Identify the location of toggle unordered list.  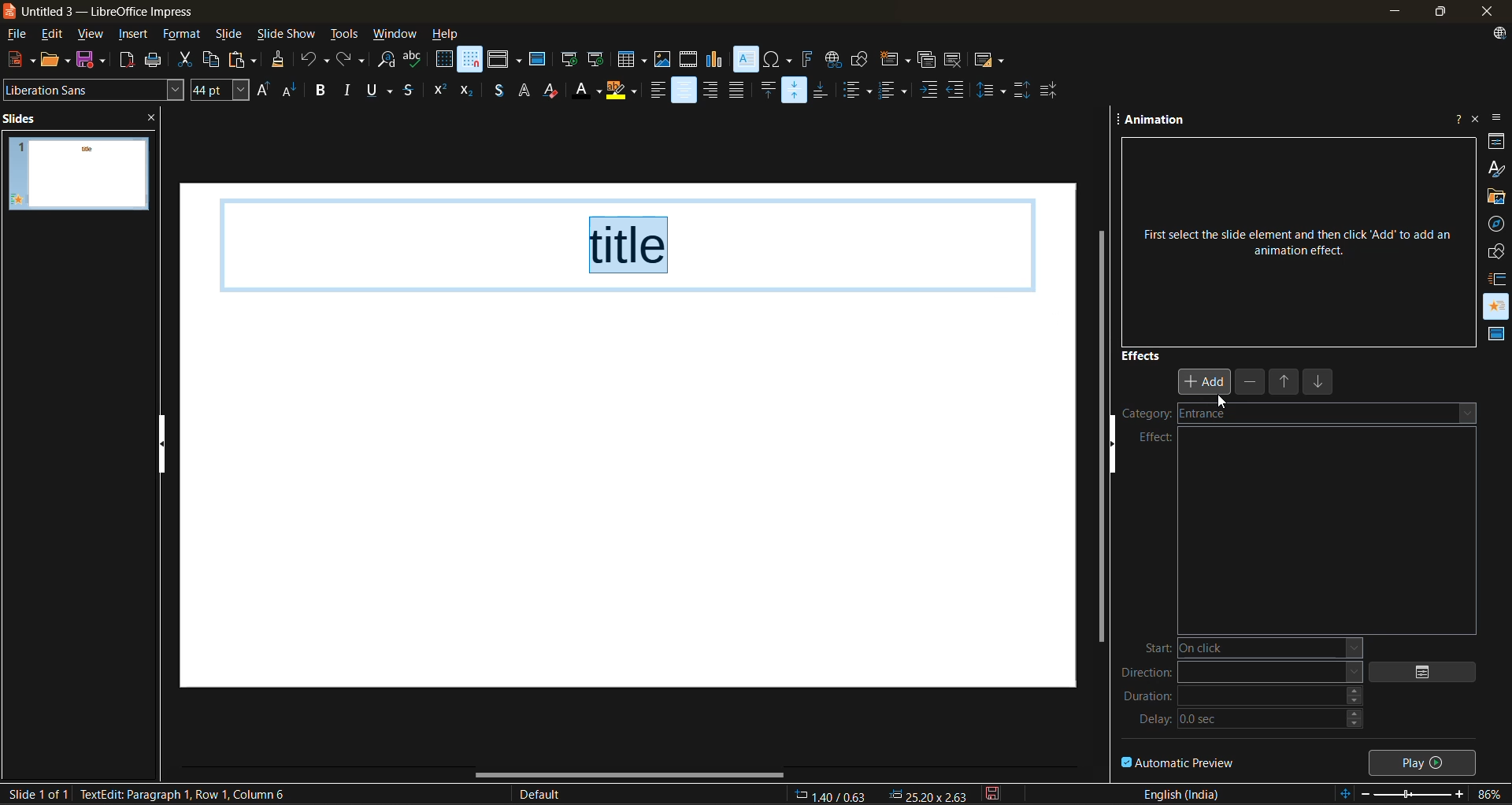
(861, 91).